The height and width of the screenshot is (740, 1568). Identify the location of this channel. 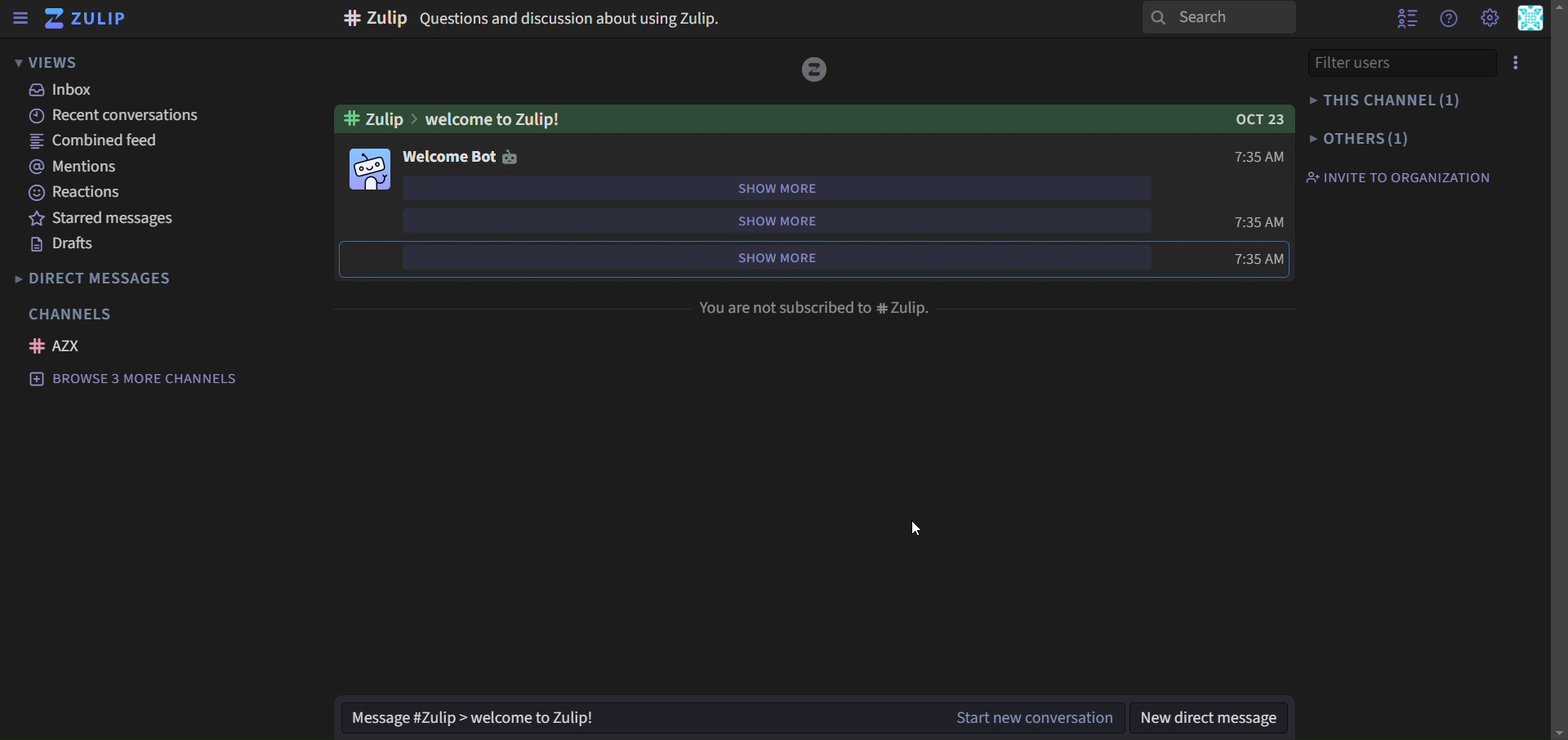
(1383, 99).